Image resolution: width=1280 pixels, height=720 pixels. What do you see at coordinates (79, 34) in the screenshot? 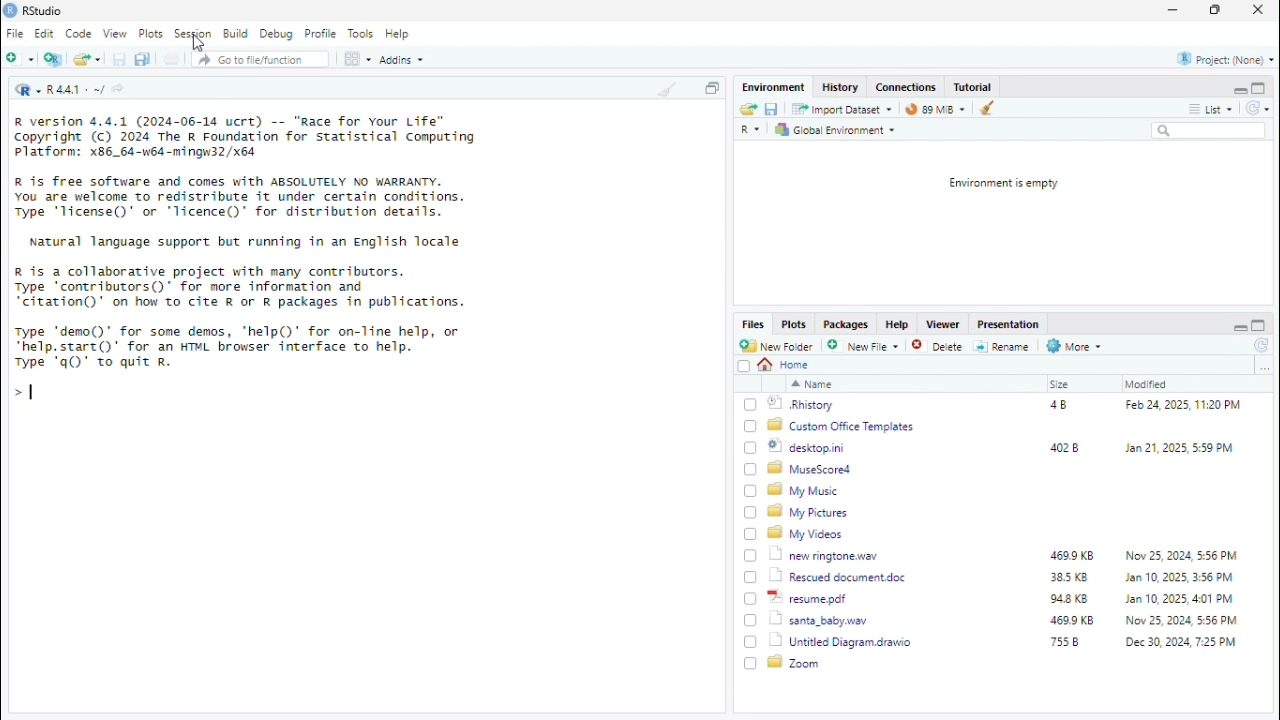
I see `Code` at bounding box center [79, 34].